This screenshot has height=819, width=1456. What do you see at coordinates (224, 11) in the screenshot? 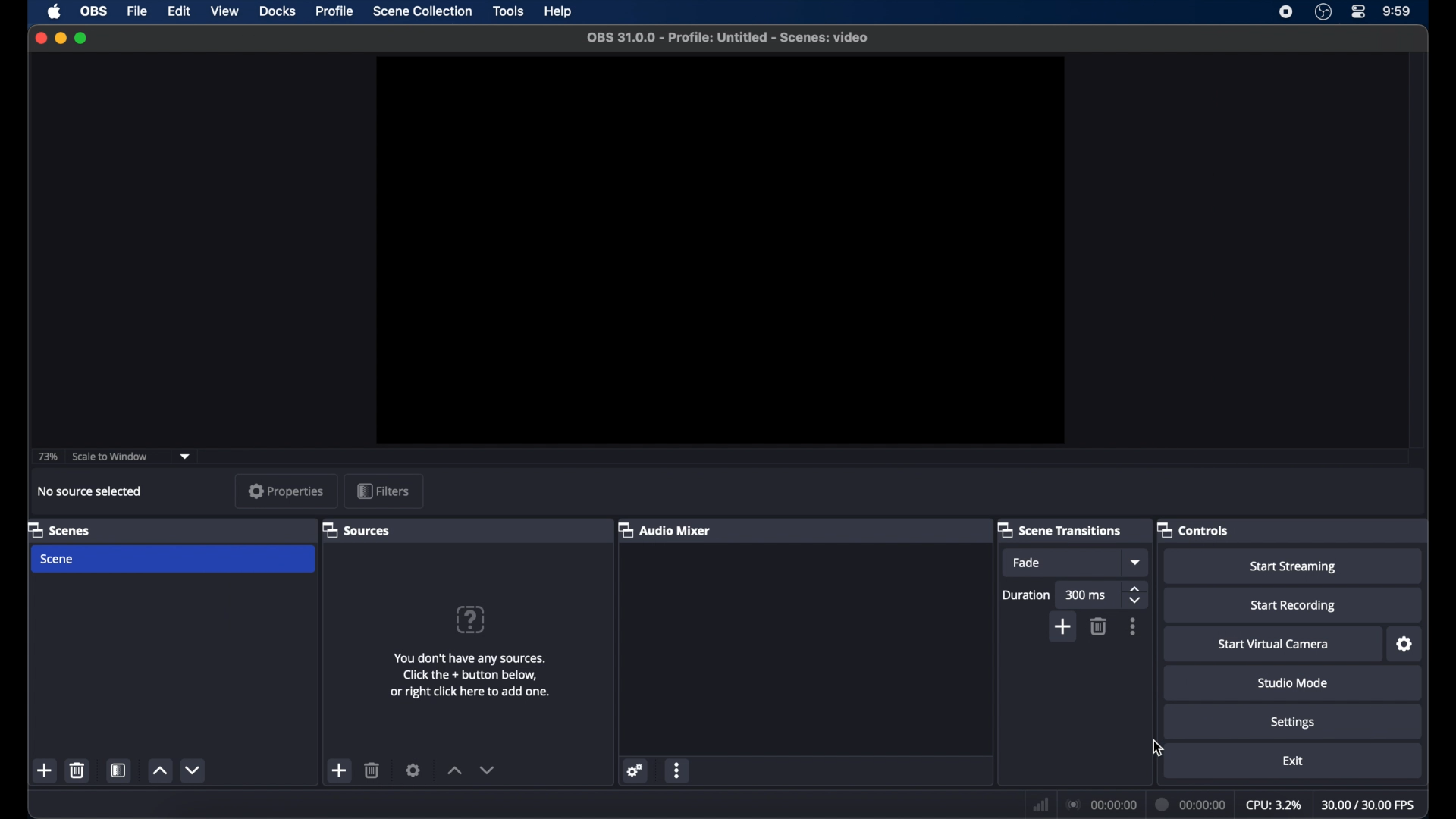
I see `view` at bounding box center [224, 11].